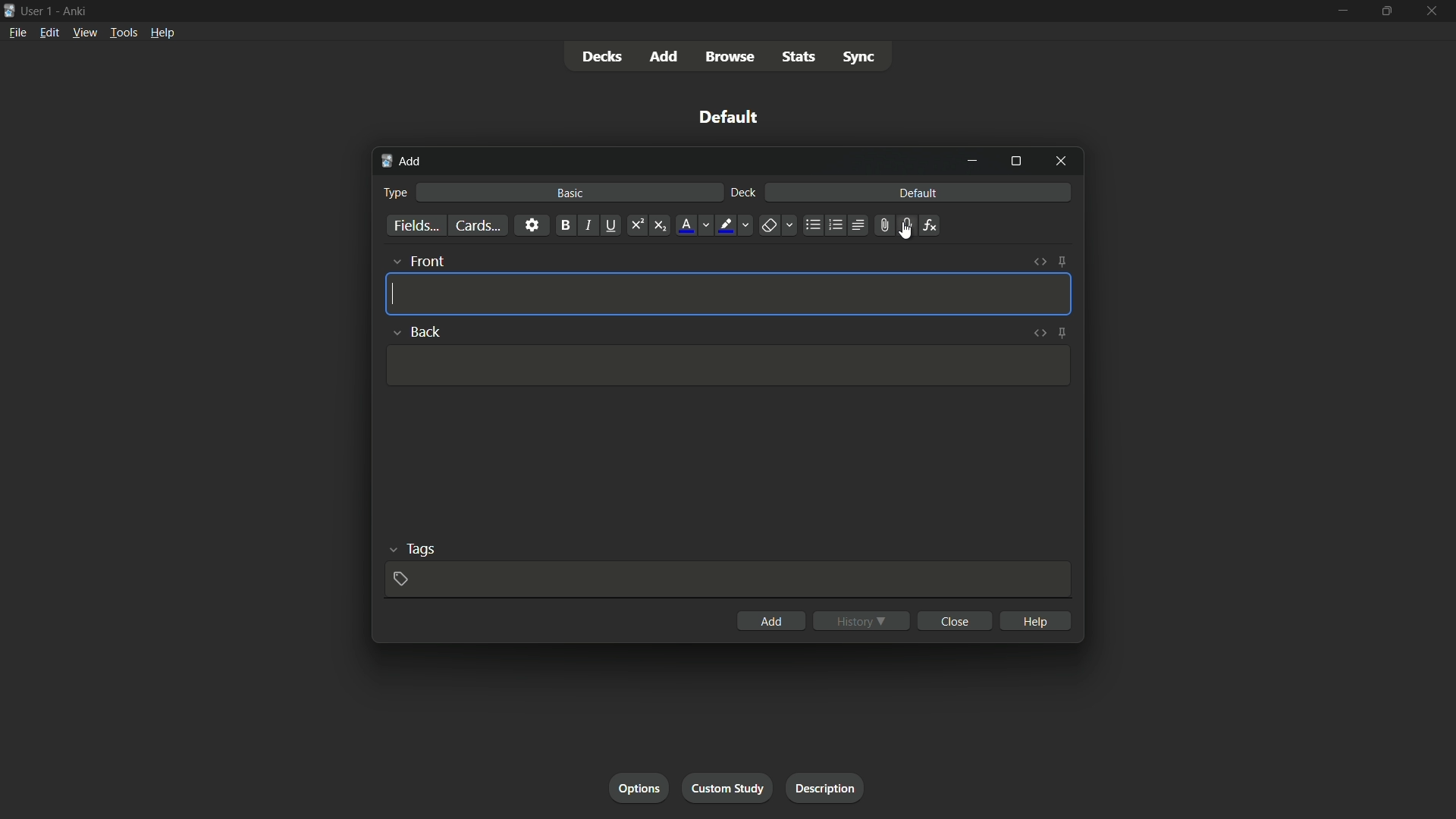 The height and width of the screenshot is (819, 1456). Describe the element at coordinates (1433, 11) in the screenshot. I see `close app` at that location.